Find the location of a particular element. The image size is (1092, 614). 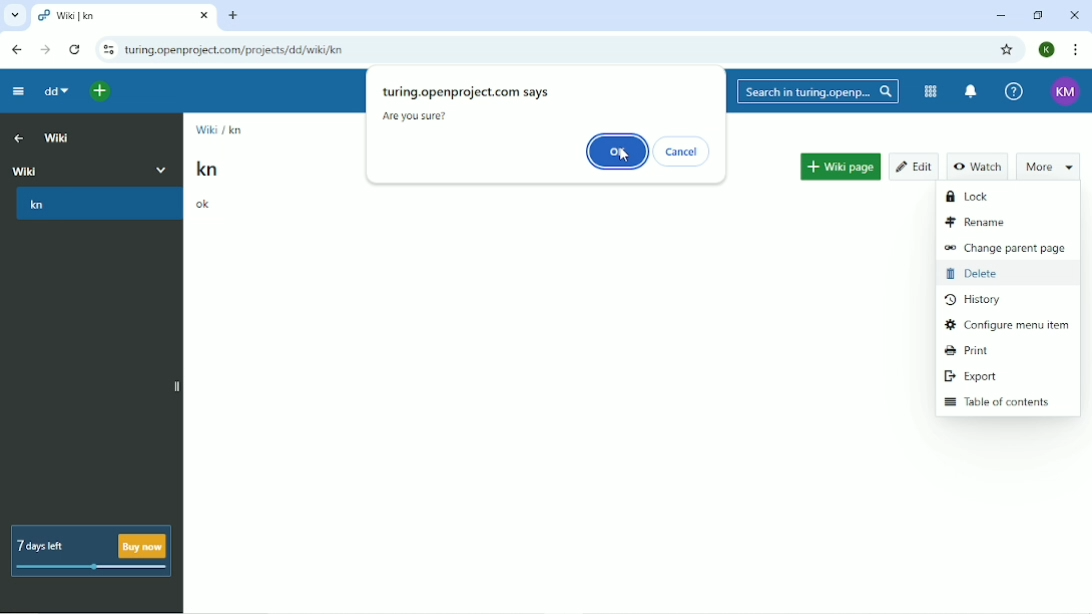

buy now  is located at coordinates (147, 547).